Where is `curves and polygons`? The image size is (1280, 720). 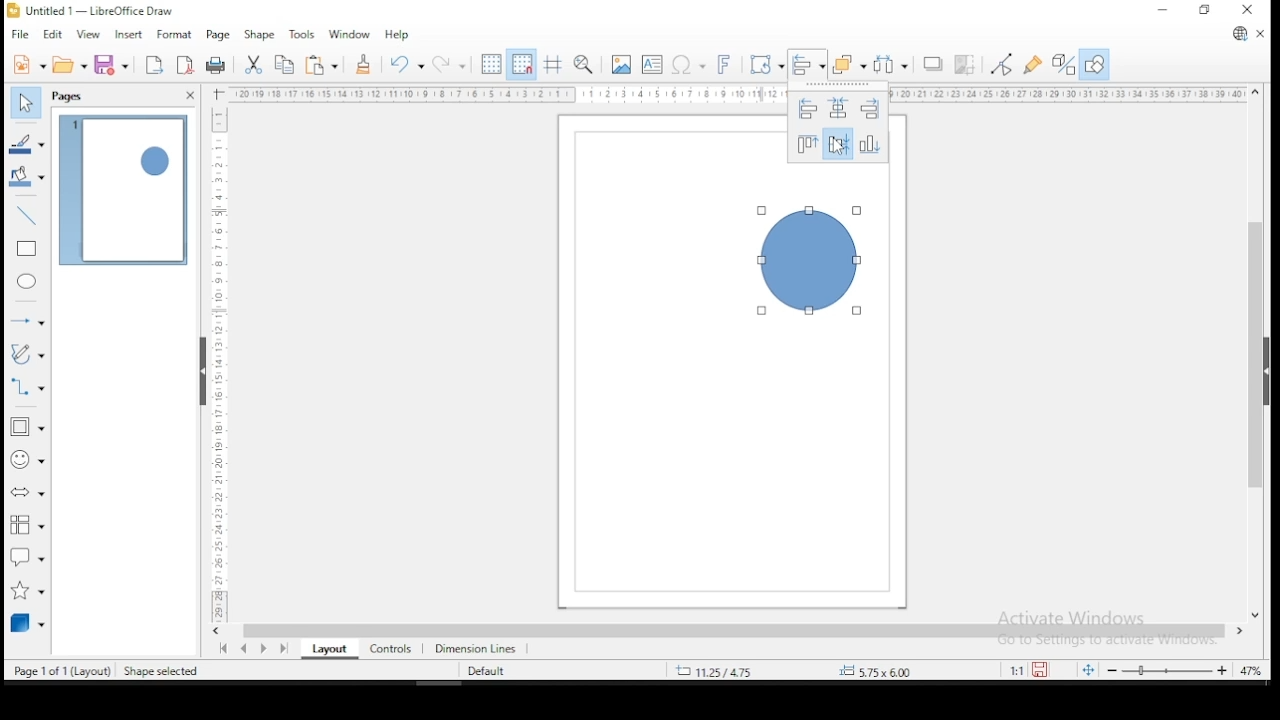
curves and polygons is located at coordinates (28, 354).